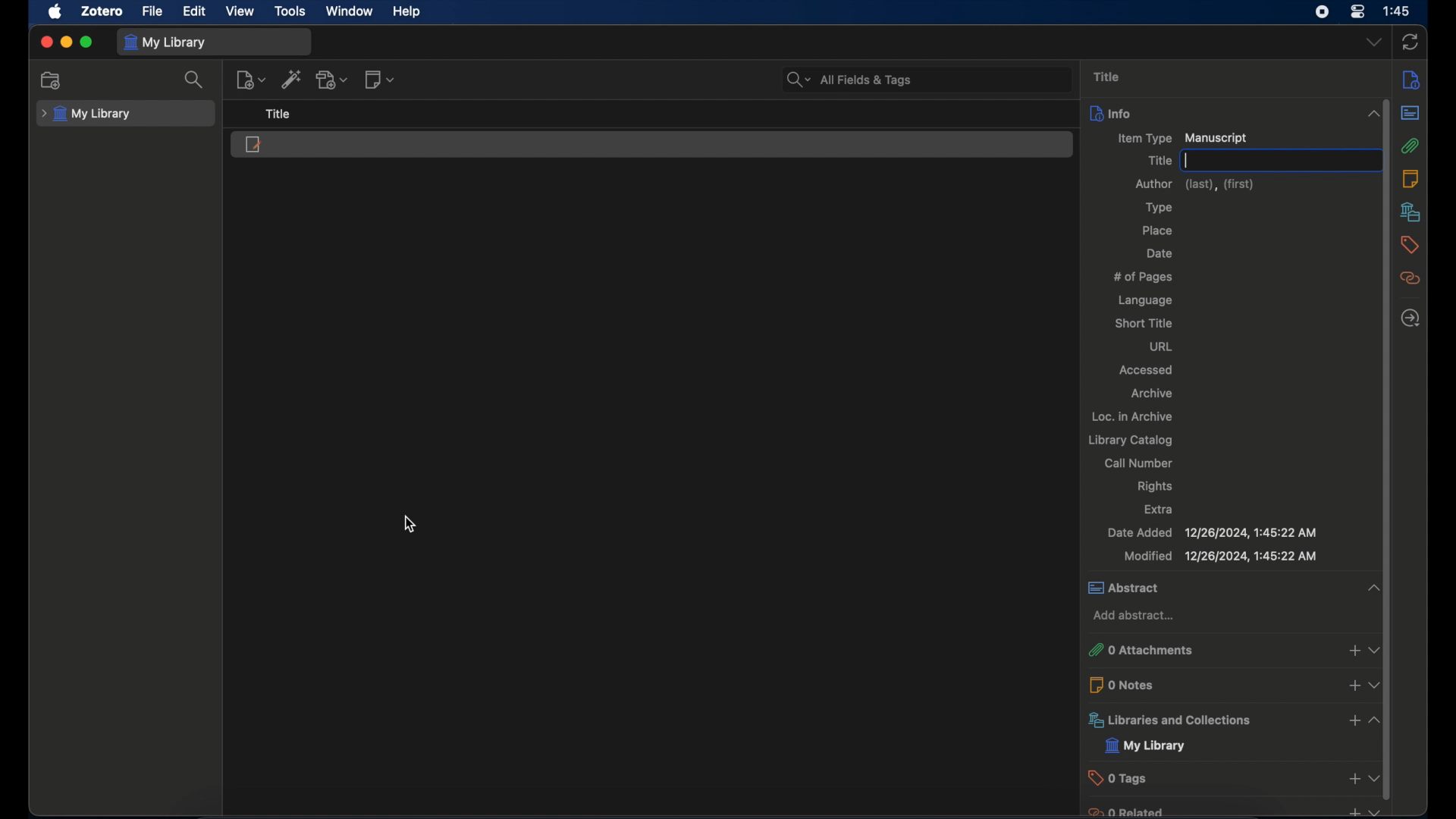 This screenshot has height=819, width=1456. I want to click on 1:45, so click(1398, 11).